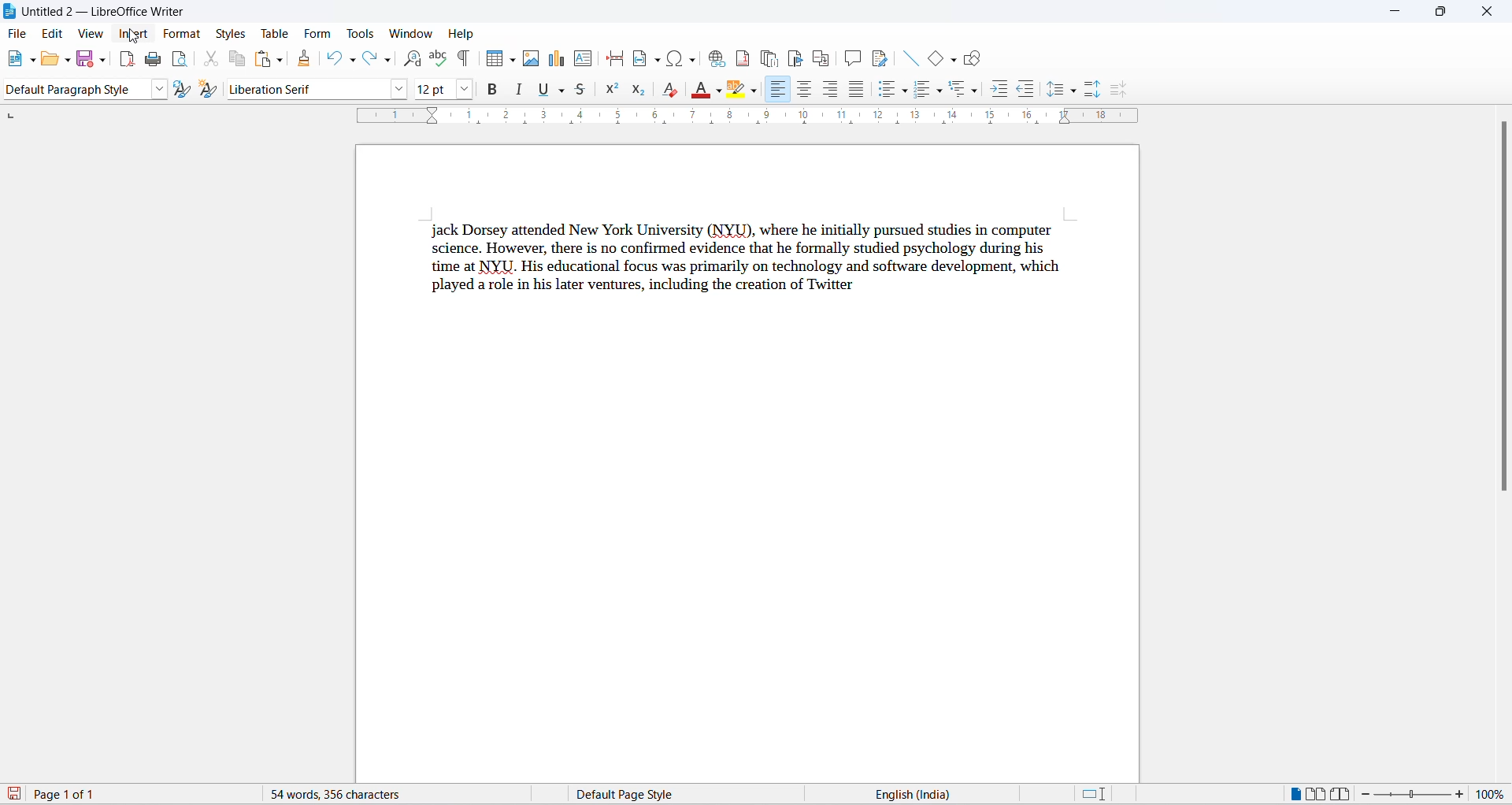 This screenshot has width=1512, height=805. Describe the element at coordinates (103, 58) in the screenshot. I see `save options` at that location.